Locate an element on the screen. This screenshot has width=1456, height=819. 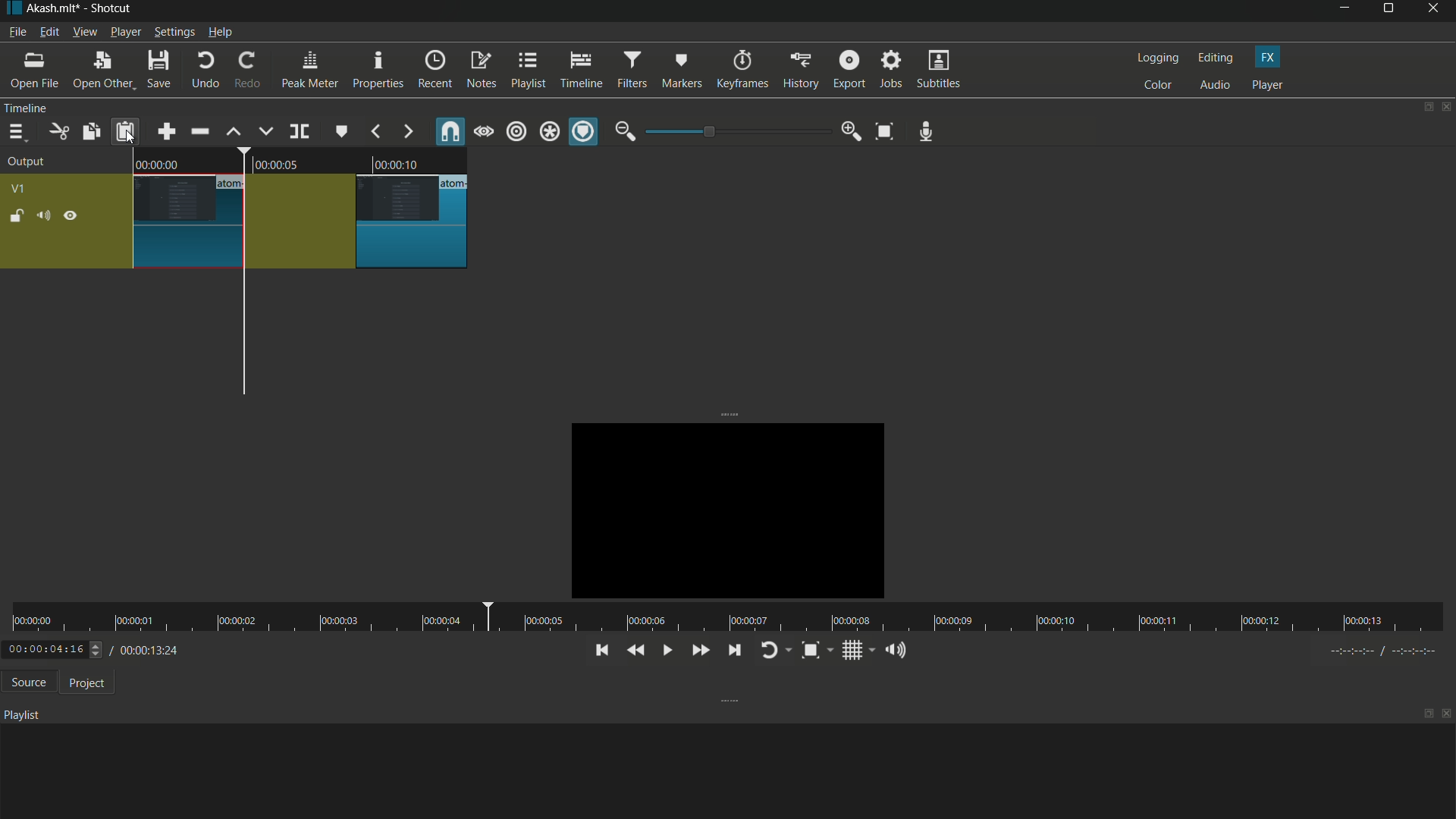
lock track is located at coordinates (14, 215).